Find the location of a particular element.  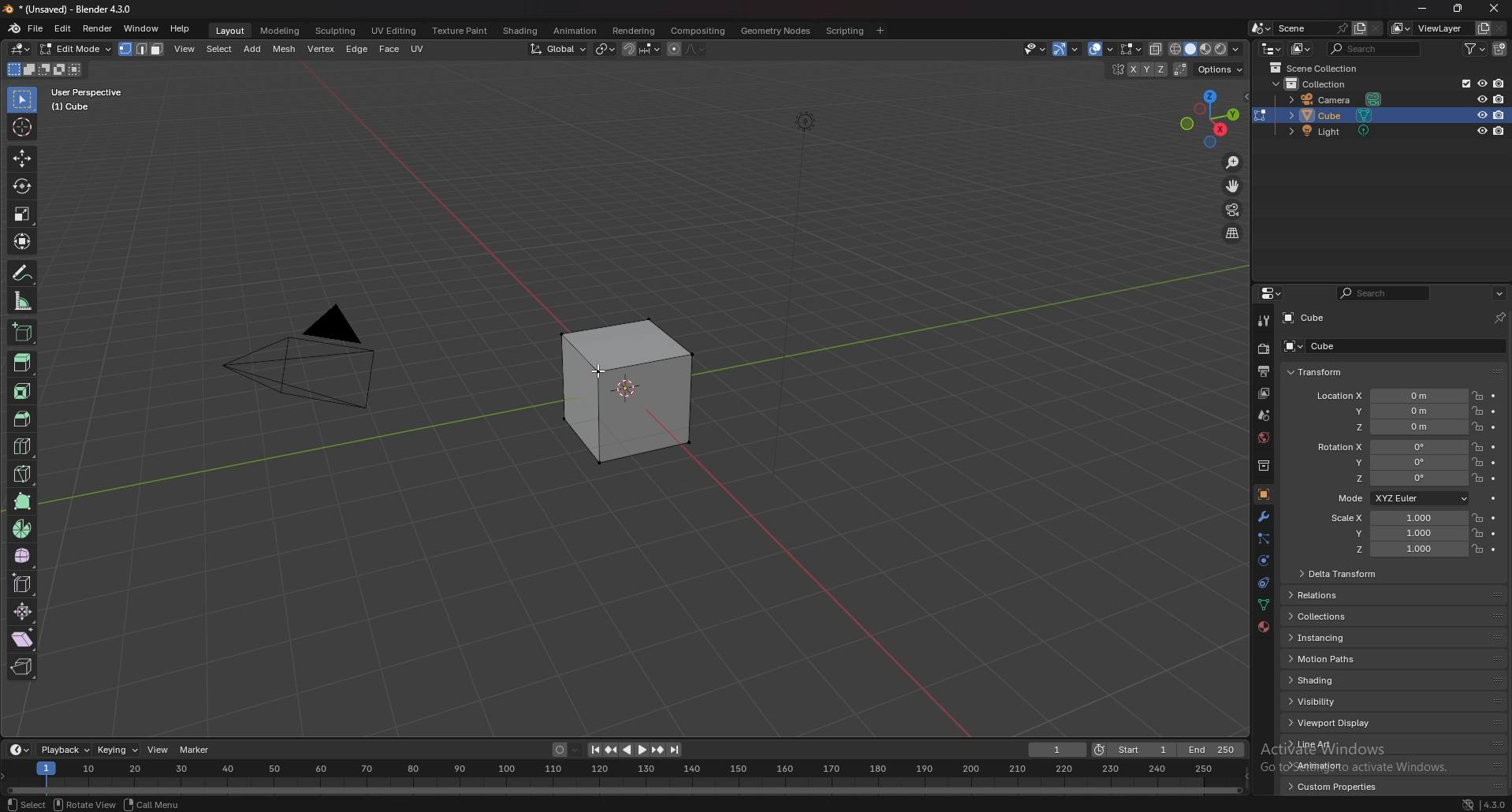

lock location is located at coordinates (1478, 478).